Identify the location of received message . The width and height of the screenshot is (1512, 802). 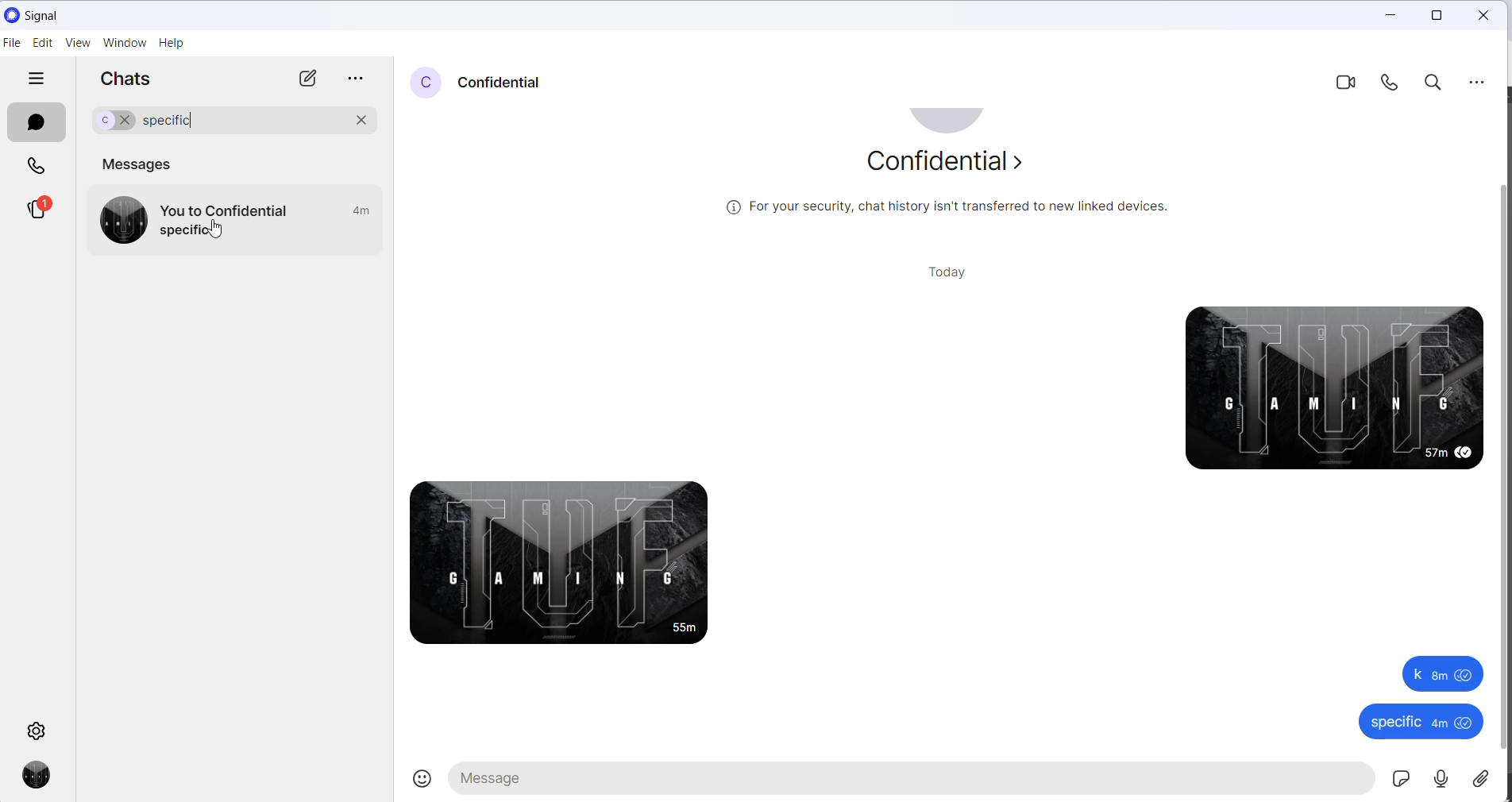
(574, 566).